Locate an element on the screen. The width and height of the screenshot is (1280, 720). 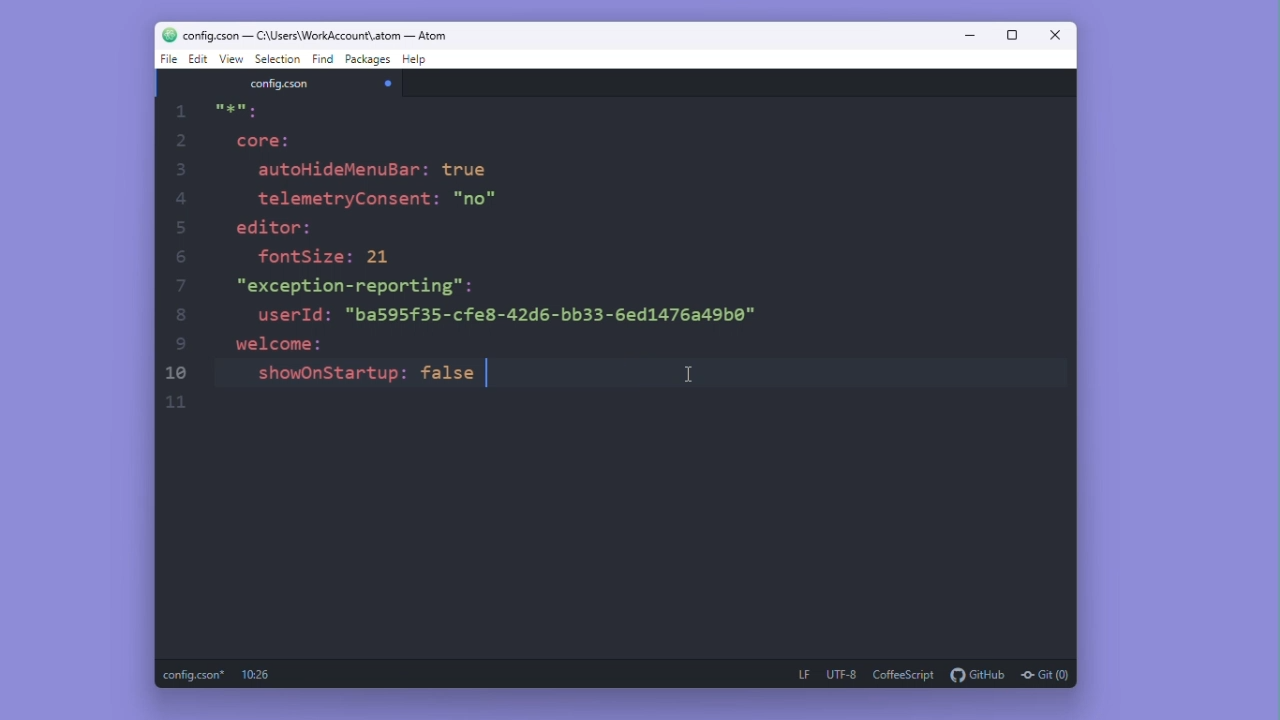
File is located at coordinates (167, 60).